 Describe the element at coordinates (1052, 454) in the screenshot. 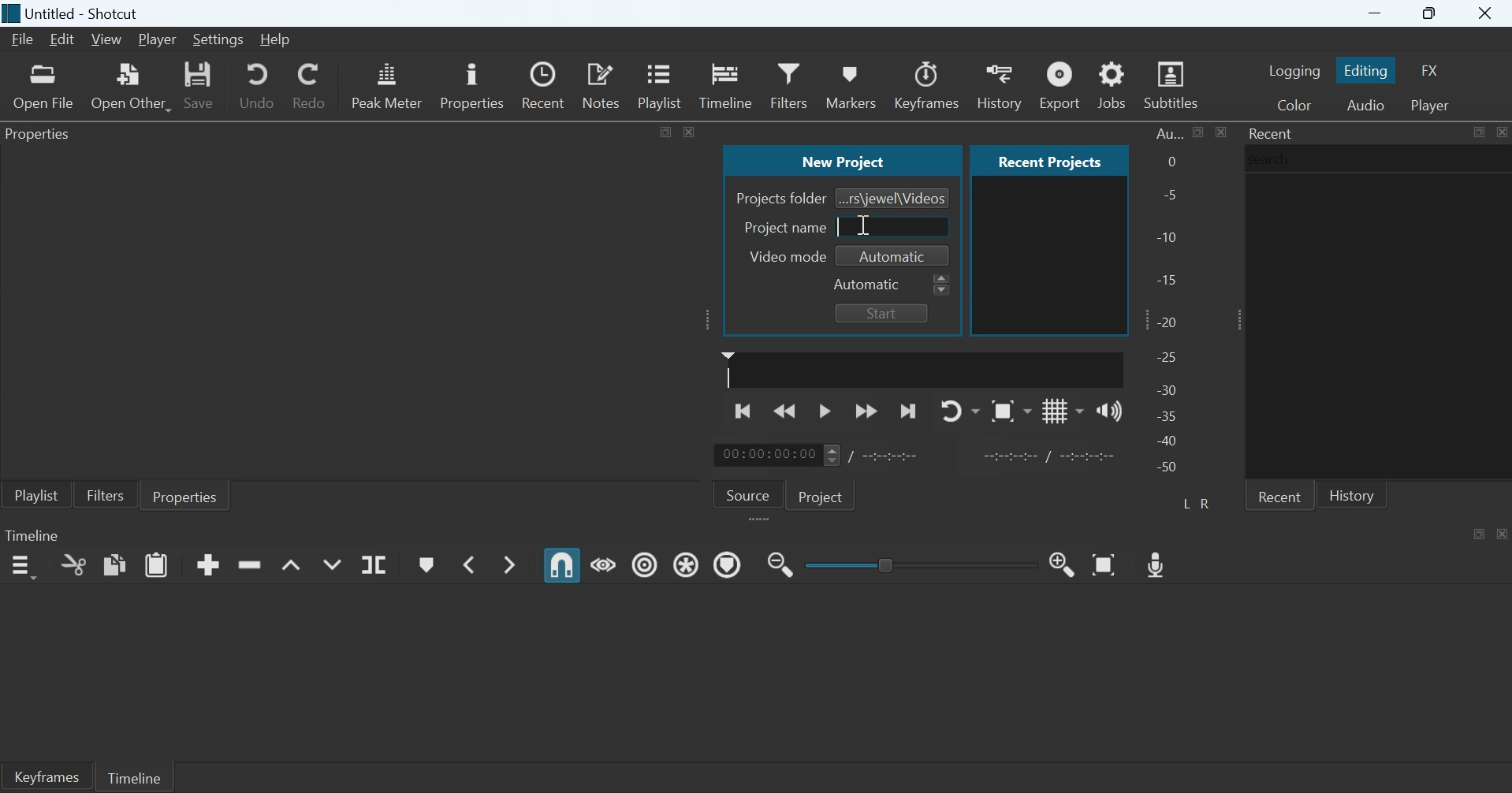

I see `Start marker/End marker` at that location.